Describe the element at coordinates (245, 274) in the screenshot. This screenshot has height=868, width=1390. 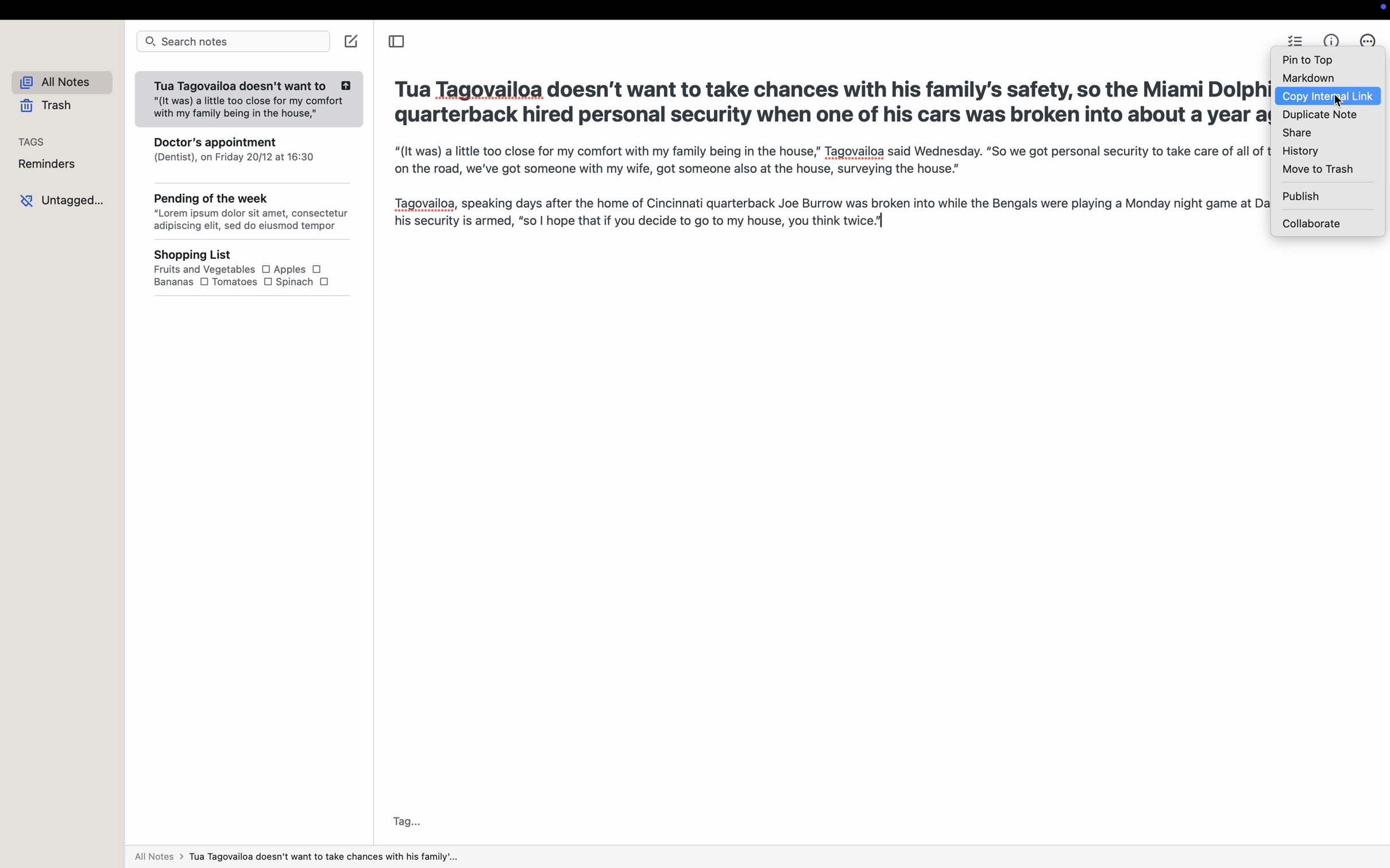
I see `Shopping List Fruits and Vegetables O Apples OBananas O Tomatoes O Spinach O` at that location.